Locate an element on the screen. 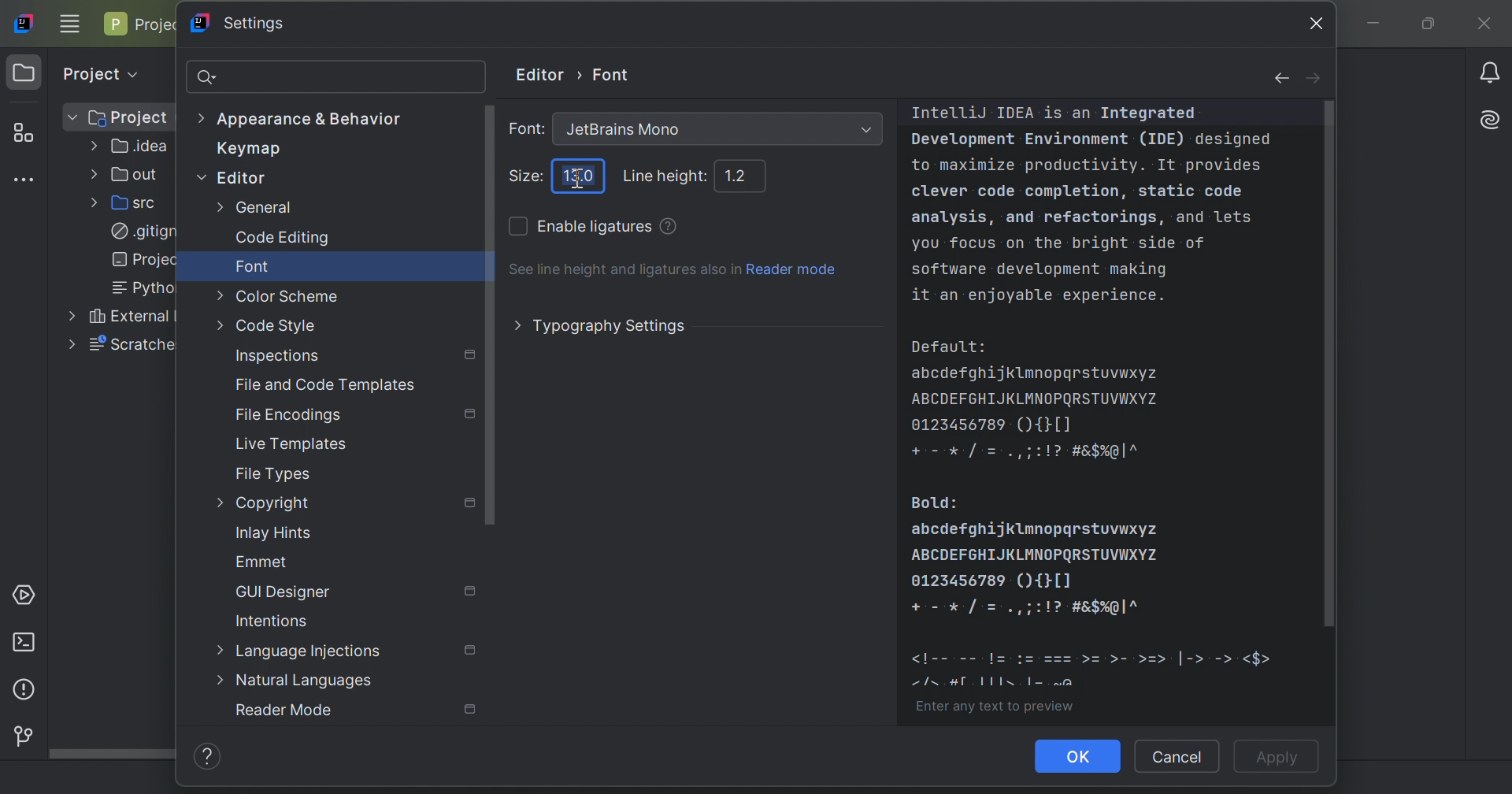  Arrow is located at coordinates (581, 74).